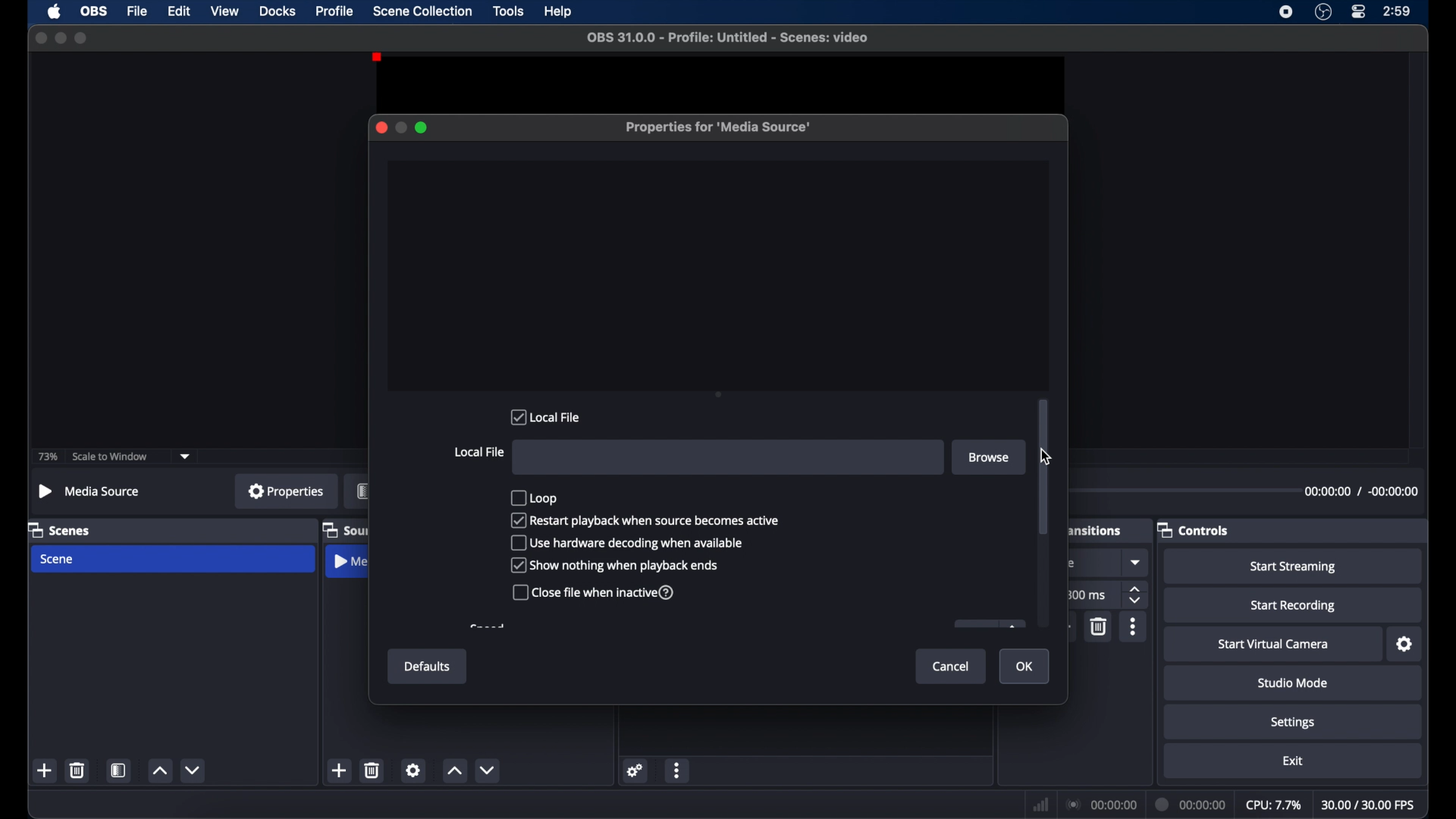  What do you see at coordinates (1087, 594) in the screenshot?
I see `300 ms` at bounding box center [1087, 594].